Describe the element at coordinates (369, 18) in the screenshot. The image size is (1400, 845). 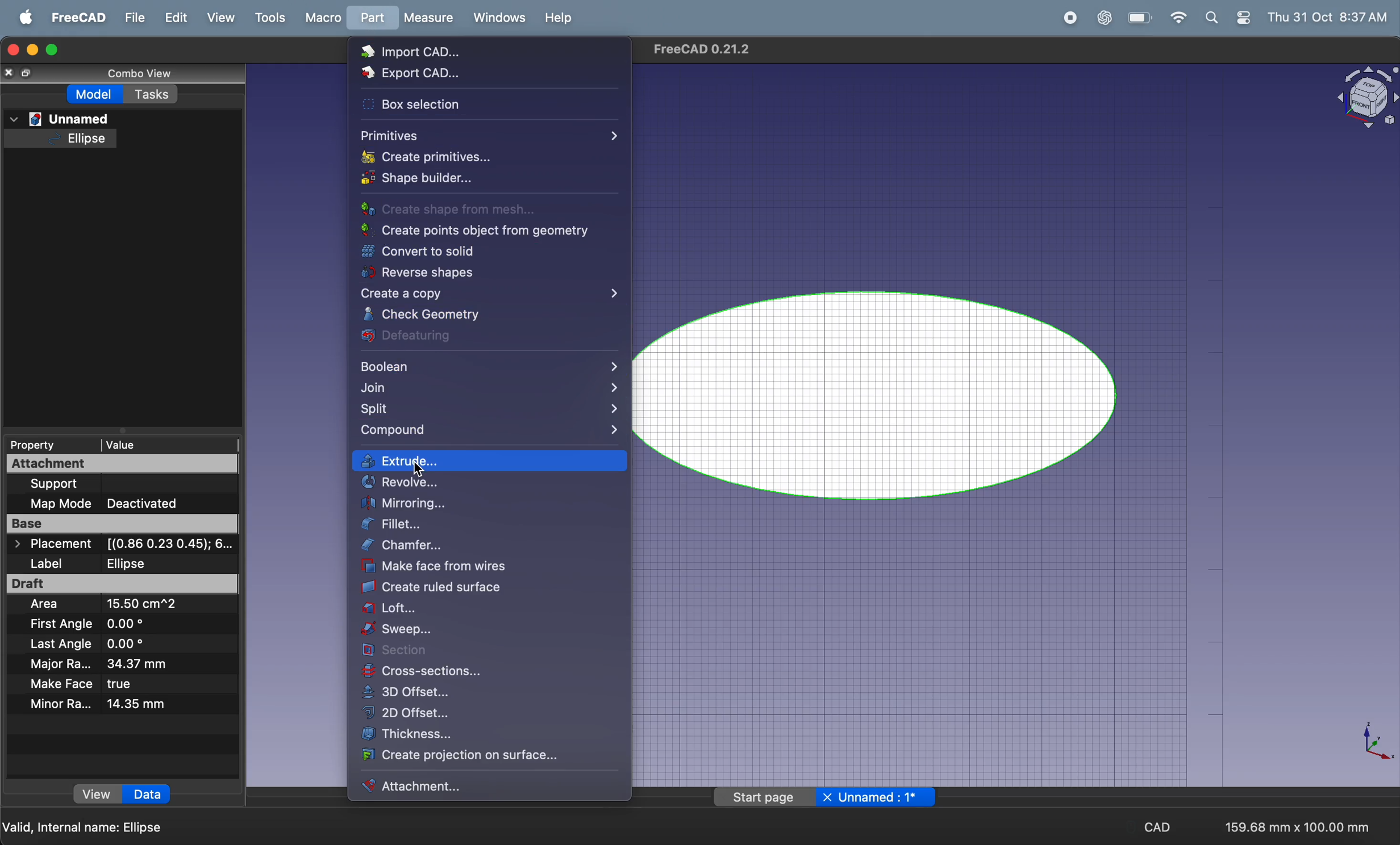
I see `part` at that location.